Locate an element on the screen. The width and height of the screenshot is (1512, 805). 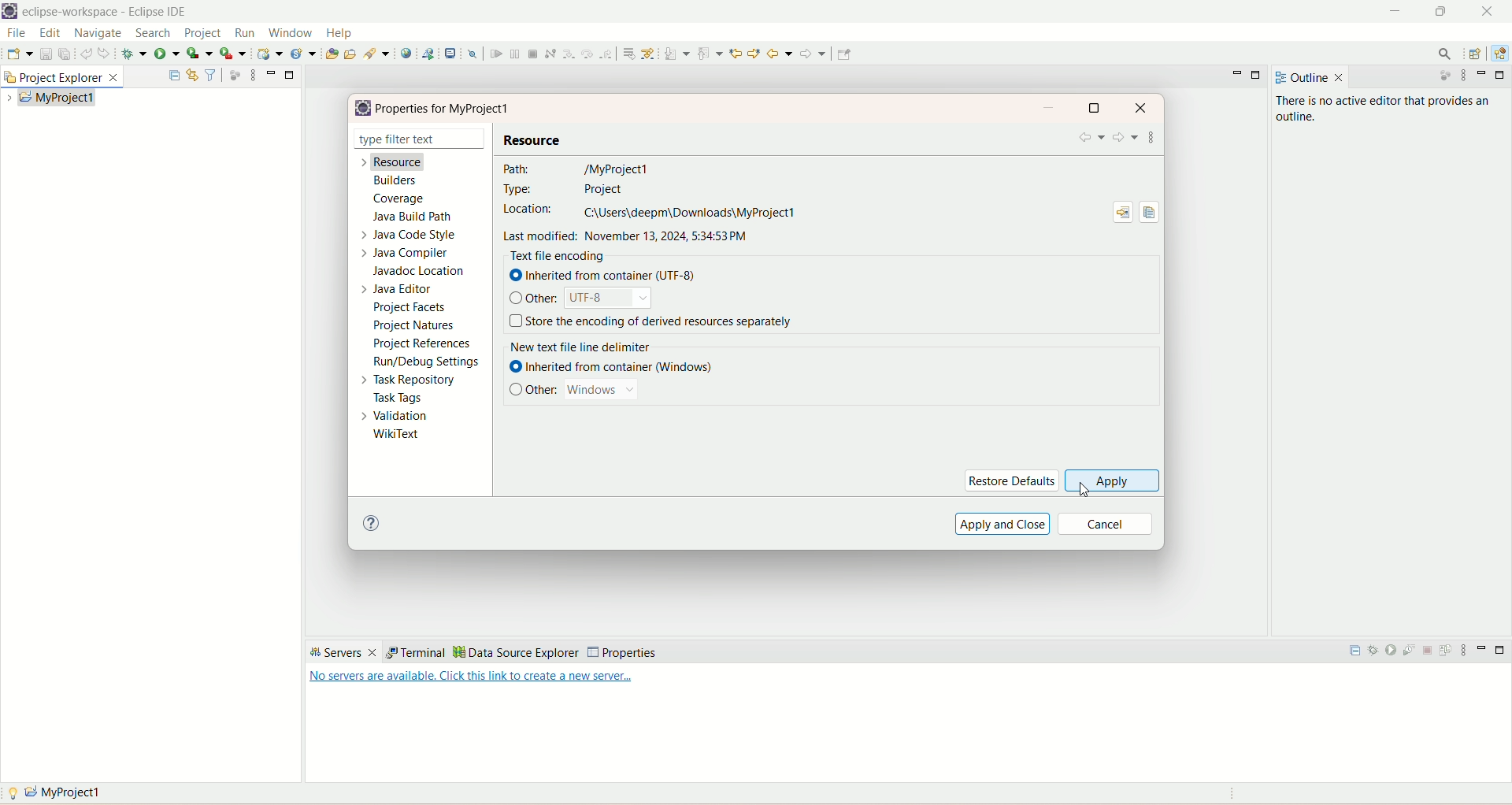
previous edit location is located at coordinates (754, 54).